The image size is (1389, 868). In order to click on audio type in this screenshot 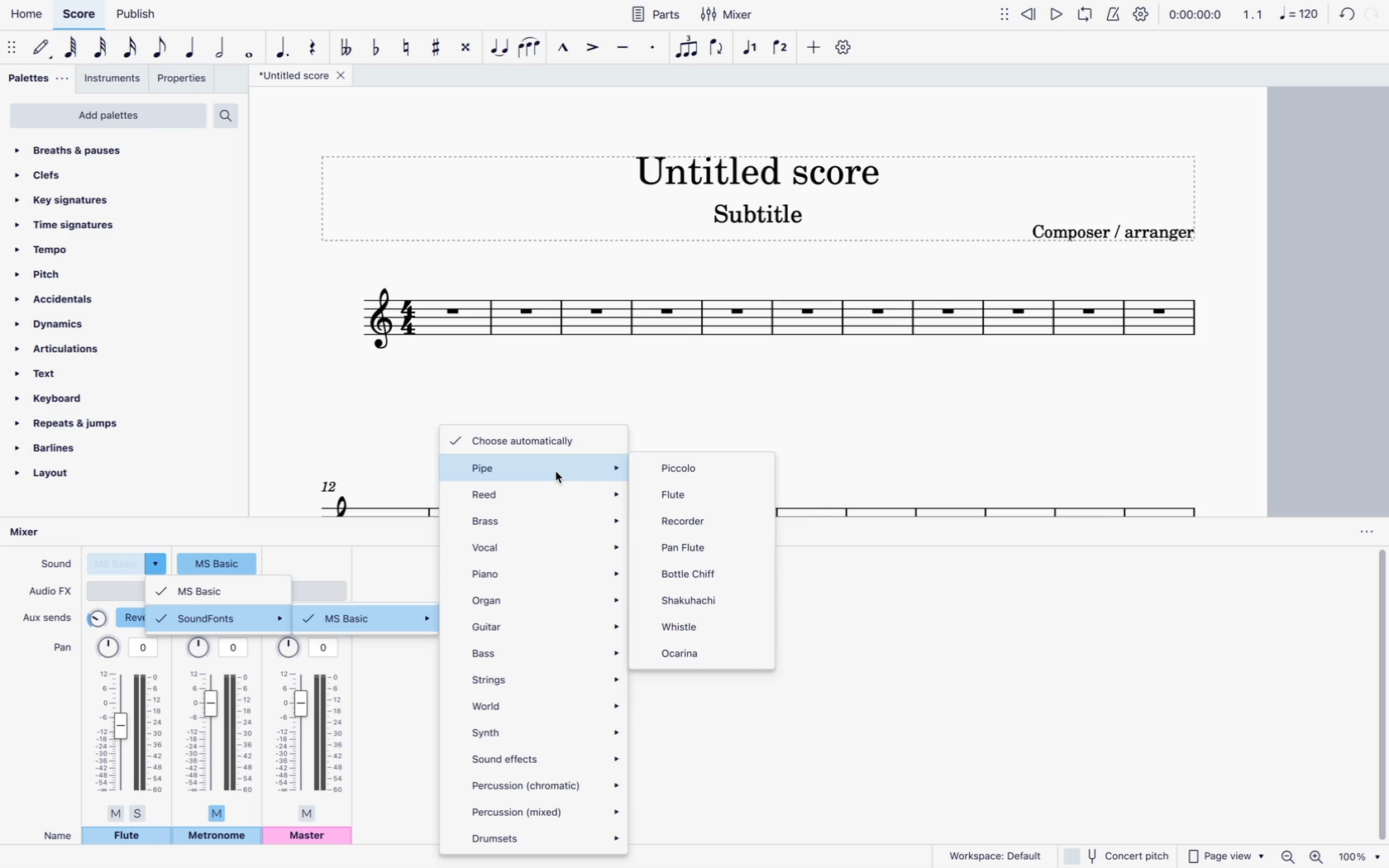, I will do `click(116, 590)`.